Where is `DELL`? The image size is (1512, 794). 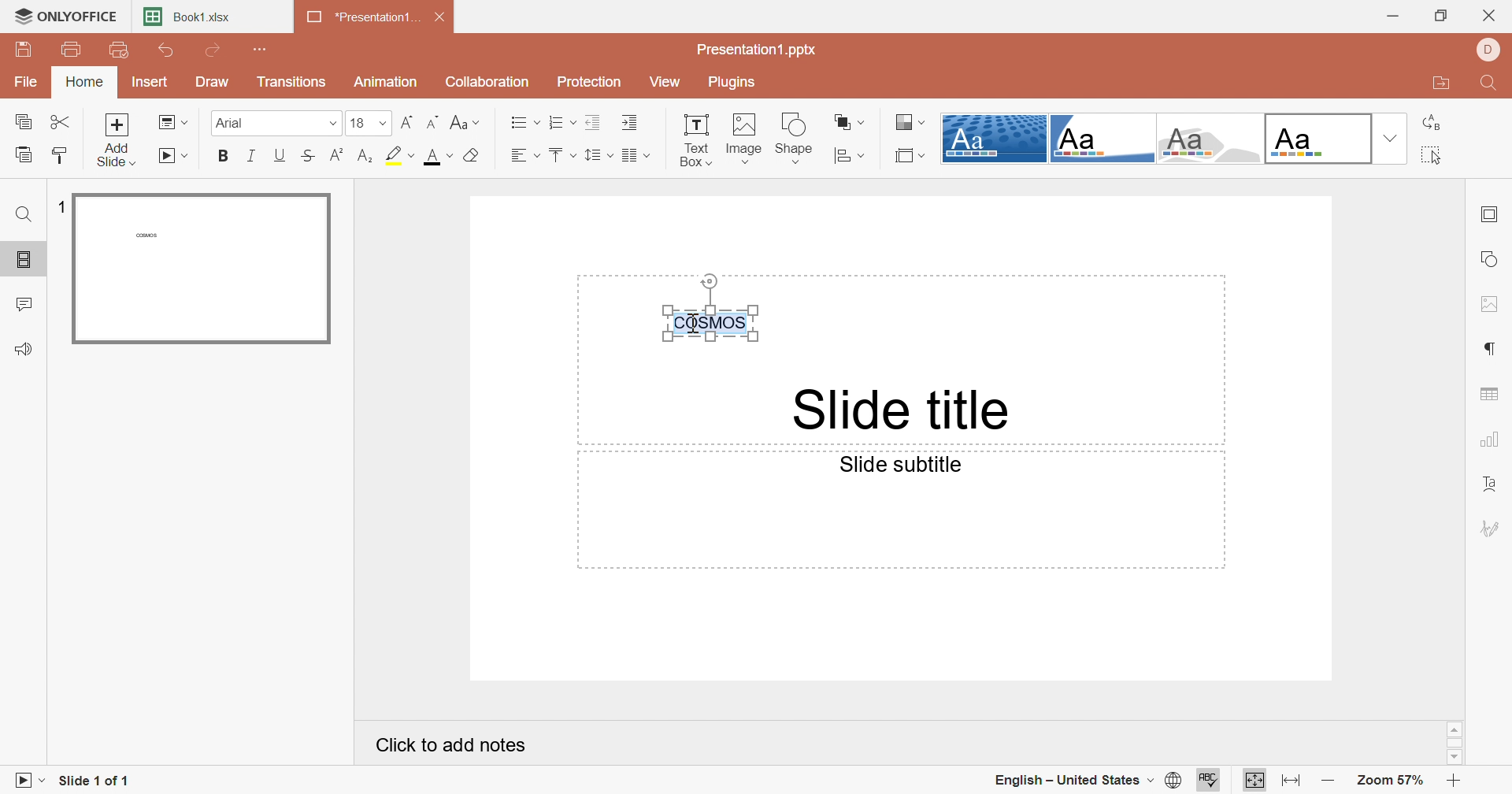 DELL is located at coordinates (1487, 53).